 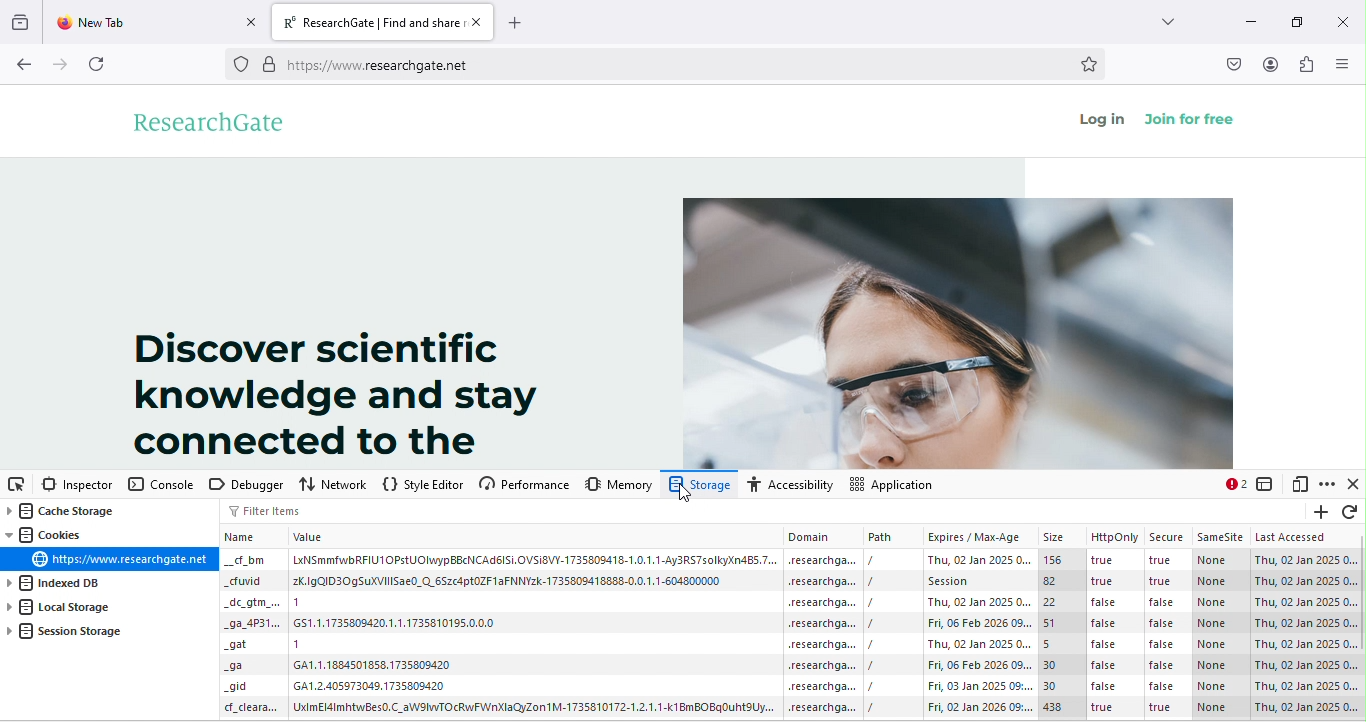 I want to click on none, so click(x=1211, y=686).